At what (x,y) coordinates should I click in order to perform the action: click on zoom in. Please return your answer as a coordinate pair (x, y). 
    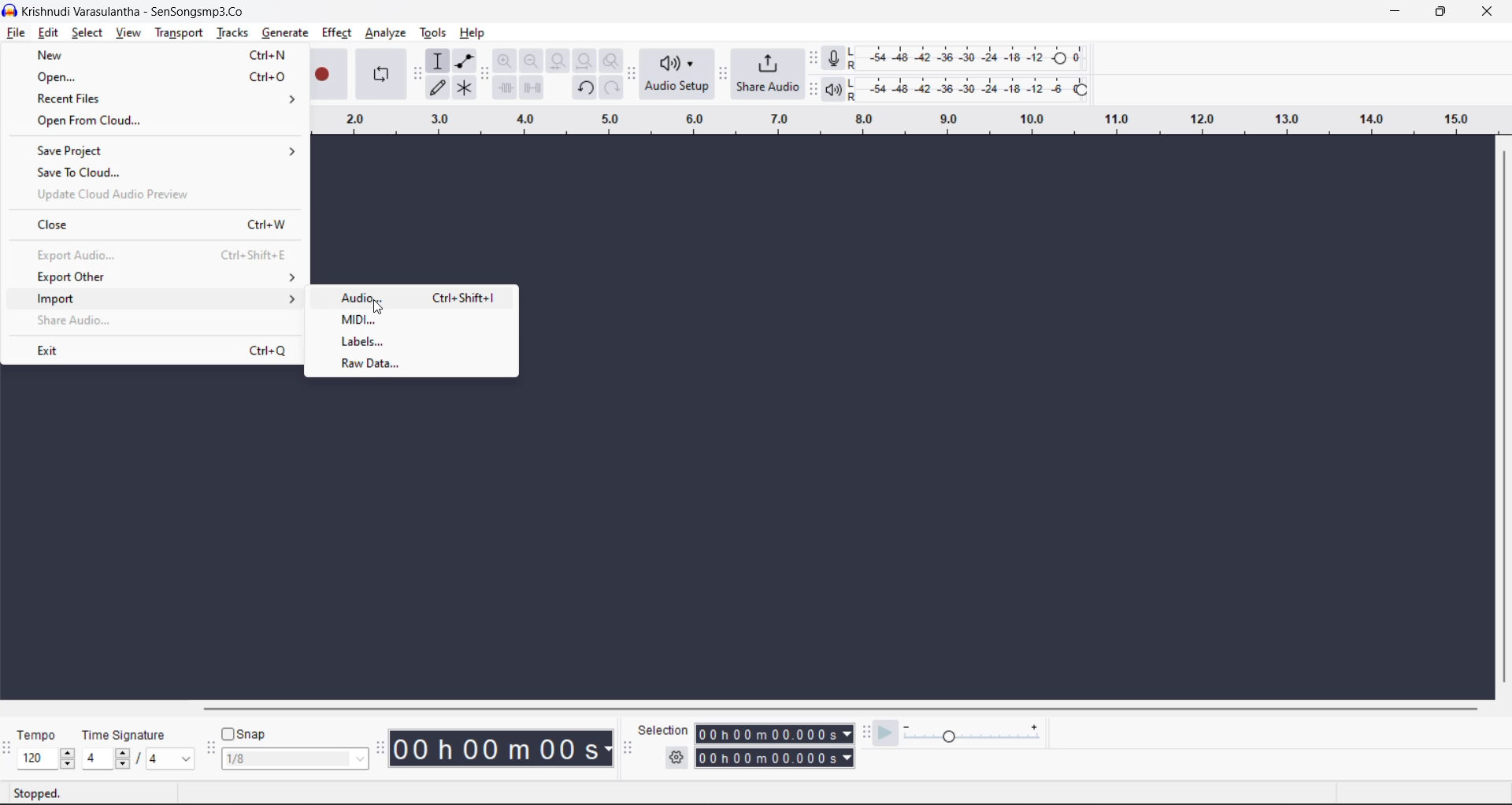
    Looking at the image, I should click on (506, 60).